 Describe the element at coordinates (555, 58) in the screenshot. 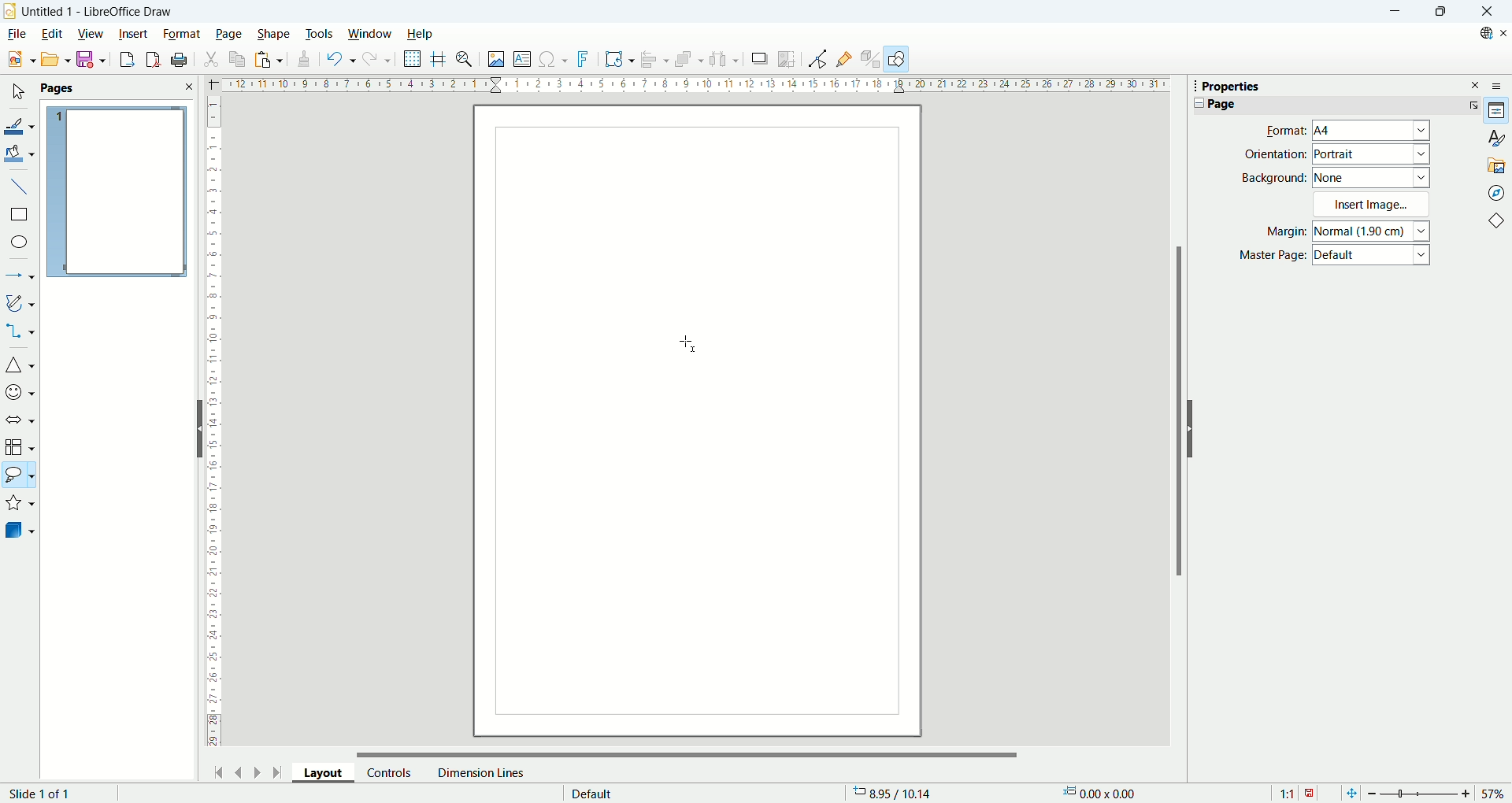

I see `insert special character` at that location.